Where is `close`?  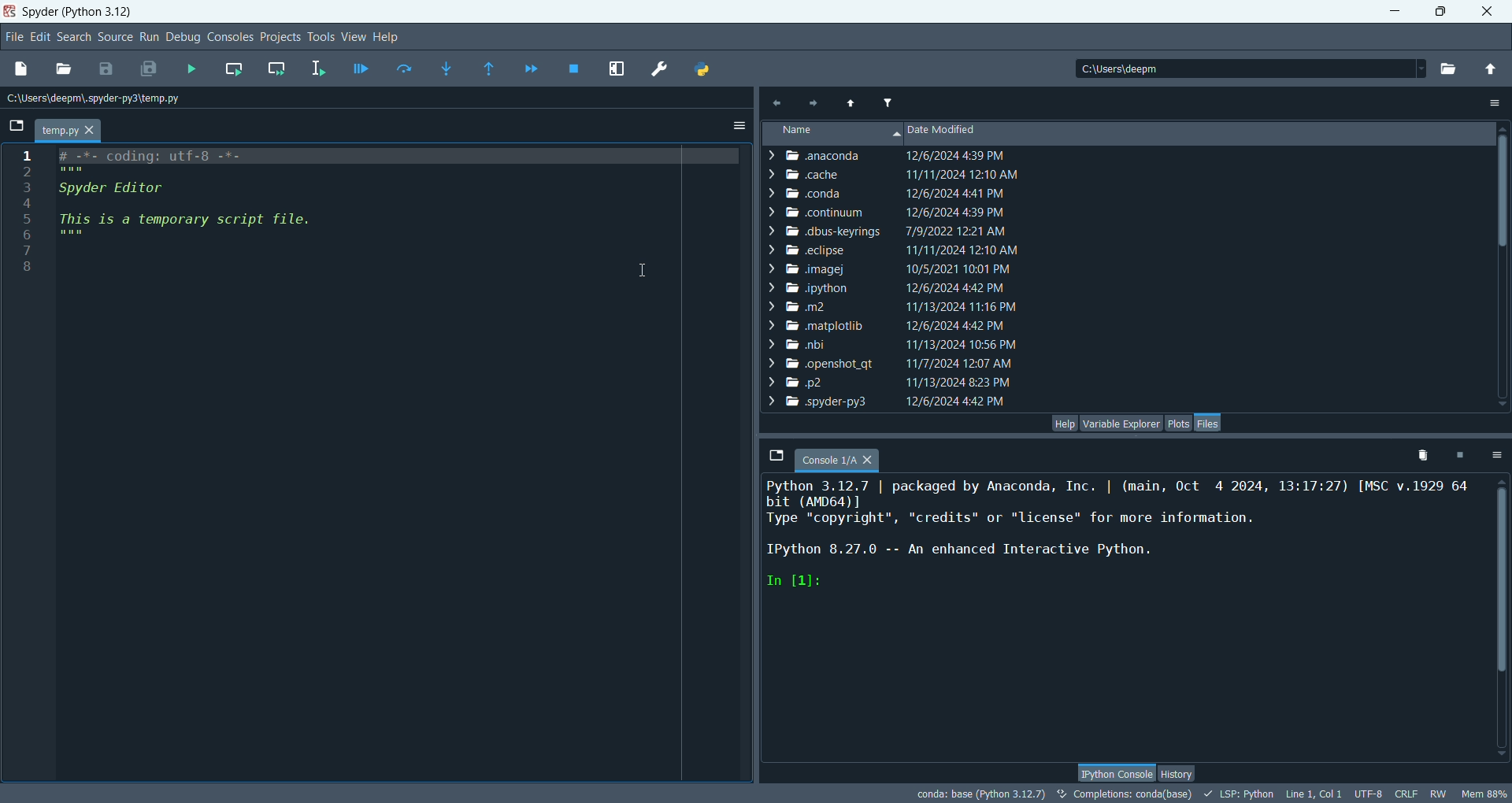 close is located at coordinates (1486, 14).